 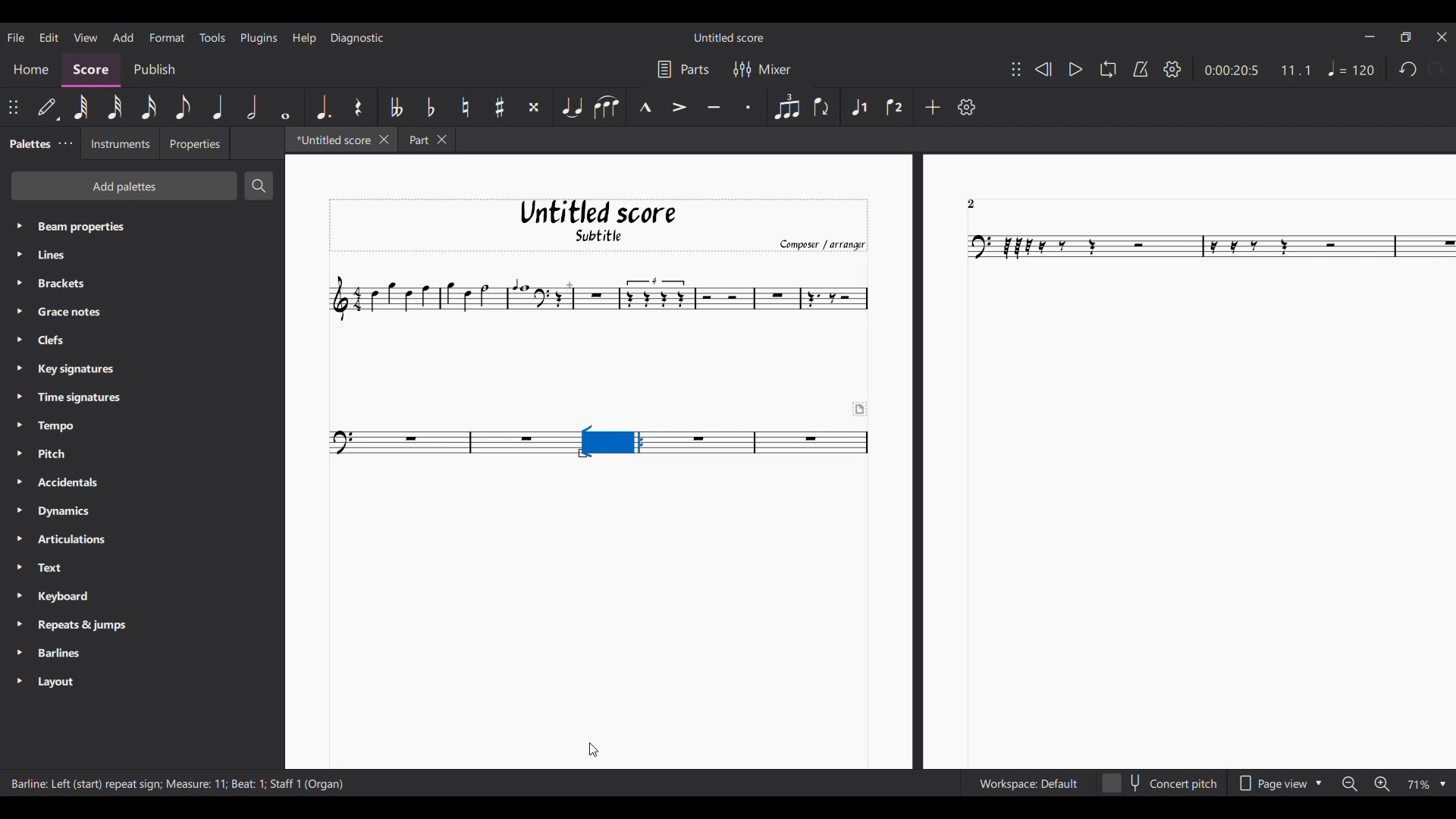 What do you see at coordinates (1436, 69) in the screenshot?
I see `Redo` at bounding box center [1436, 69].